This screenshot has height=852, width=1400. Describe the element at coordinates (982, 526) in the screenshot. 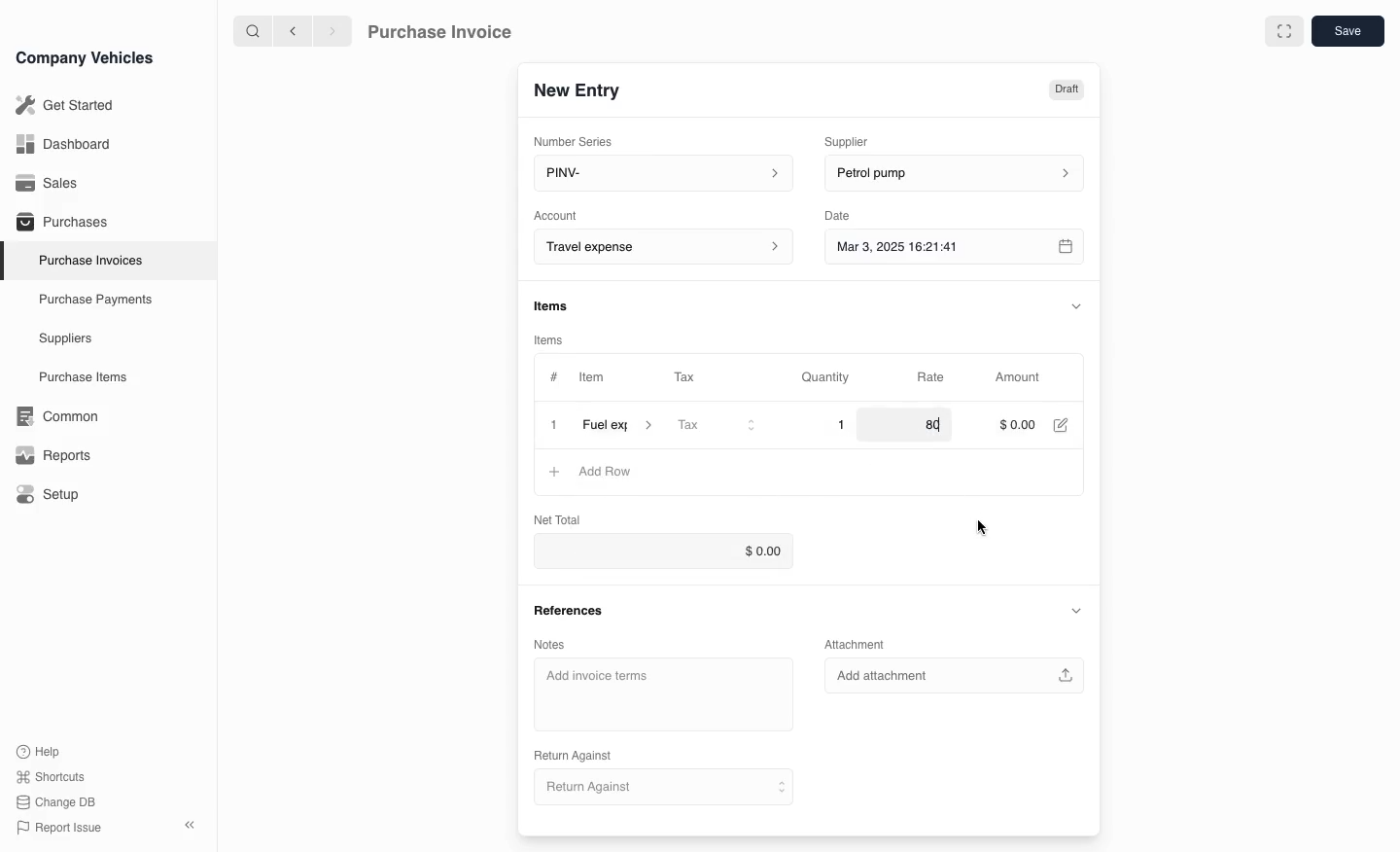

I see `cursor` at that location.